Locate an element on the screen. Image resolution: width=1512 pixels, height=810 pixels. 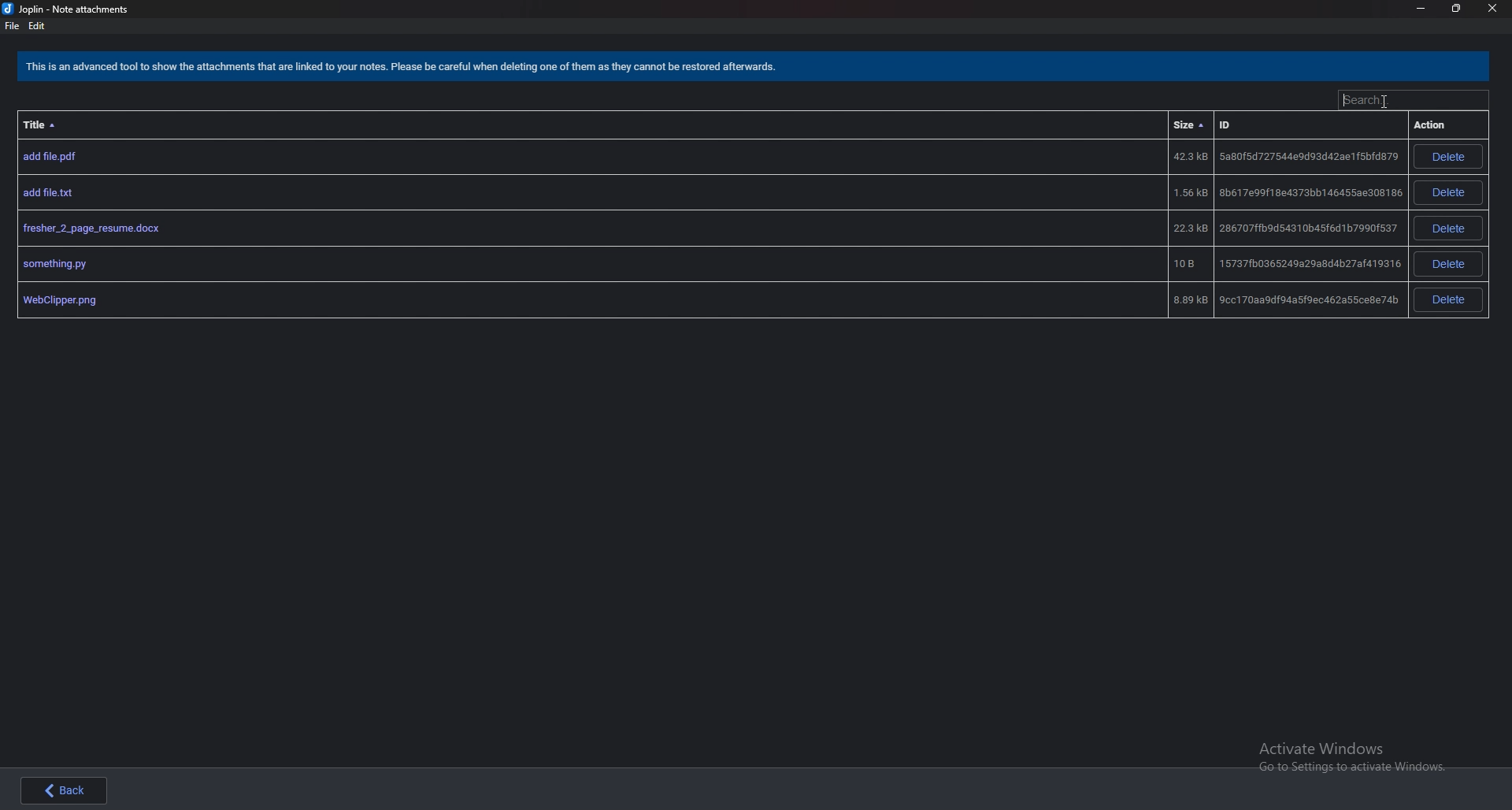
attachment is located at coordinates (709, 157).